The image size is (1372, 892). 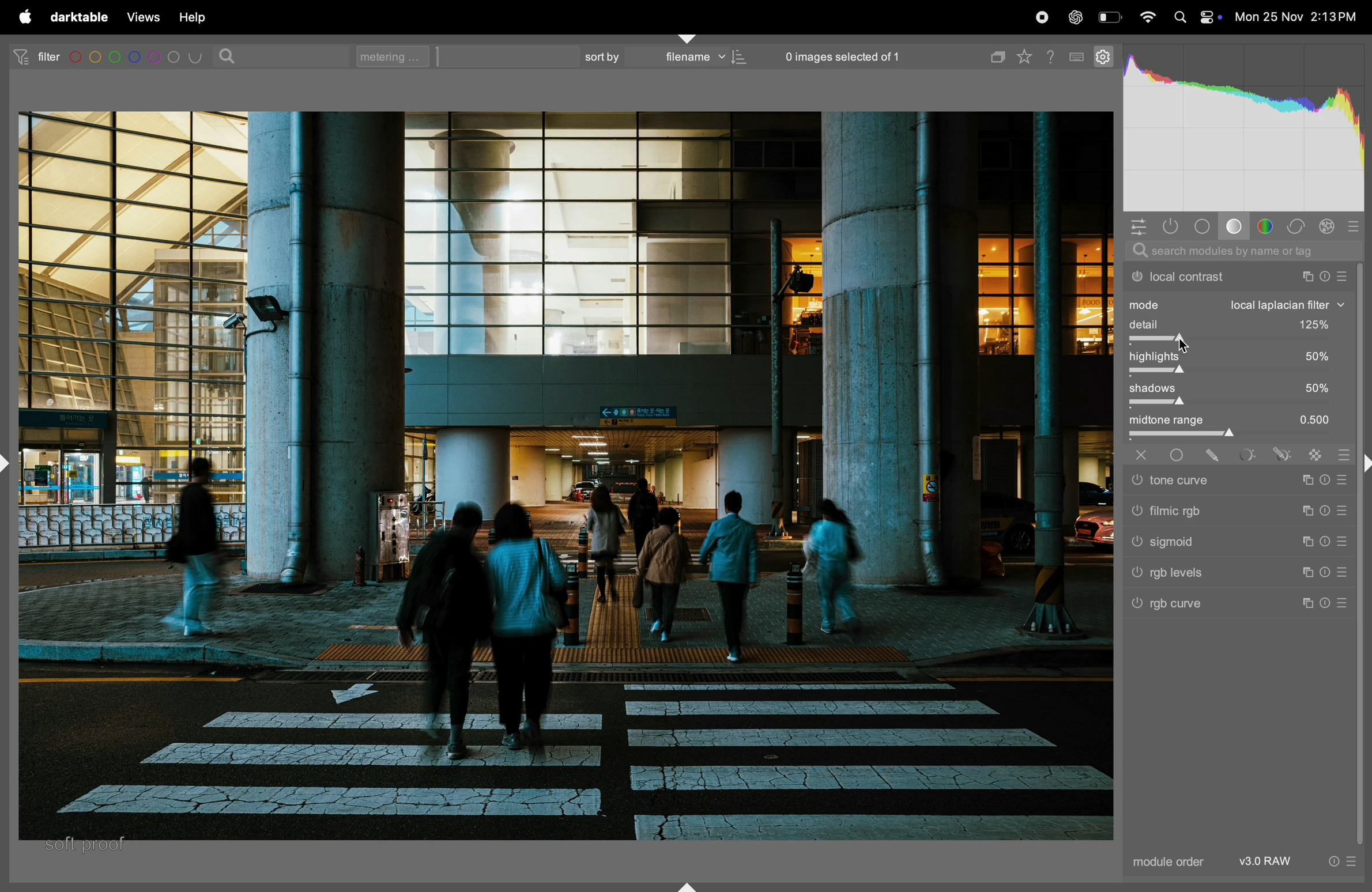 What do you see at coordinates (1351, 860) in the screenshot?
I see `preset` at bounding box center [1351, 860].